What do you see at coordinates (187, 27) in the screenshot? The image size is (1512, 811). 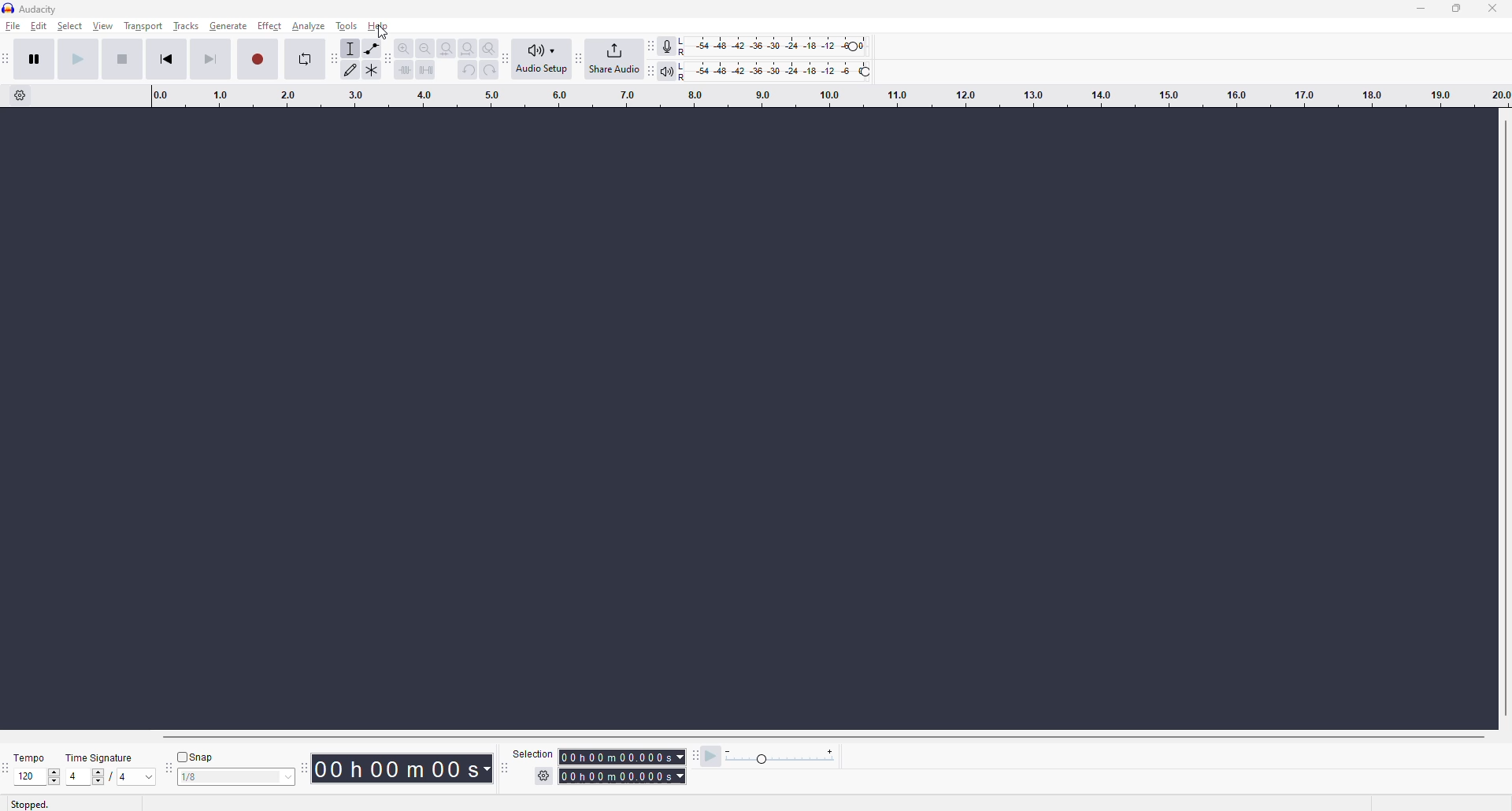 I see `tracks` at bounding box center [187, 27].